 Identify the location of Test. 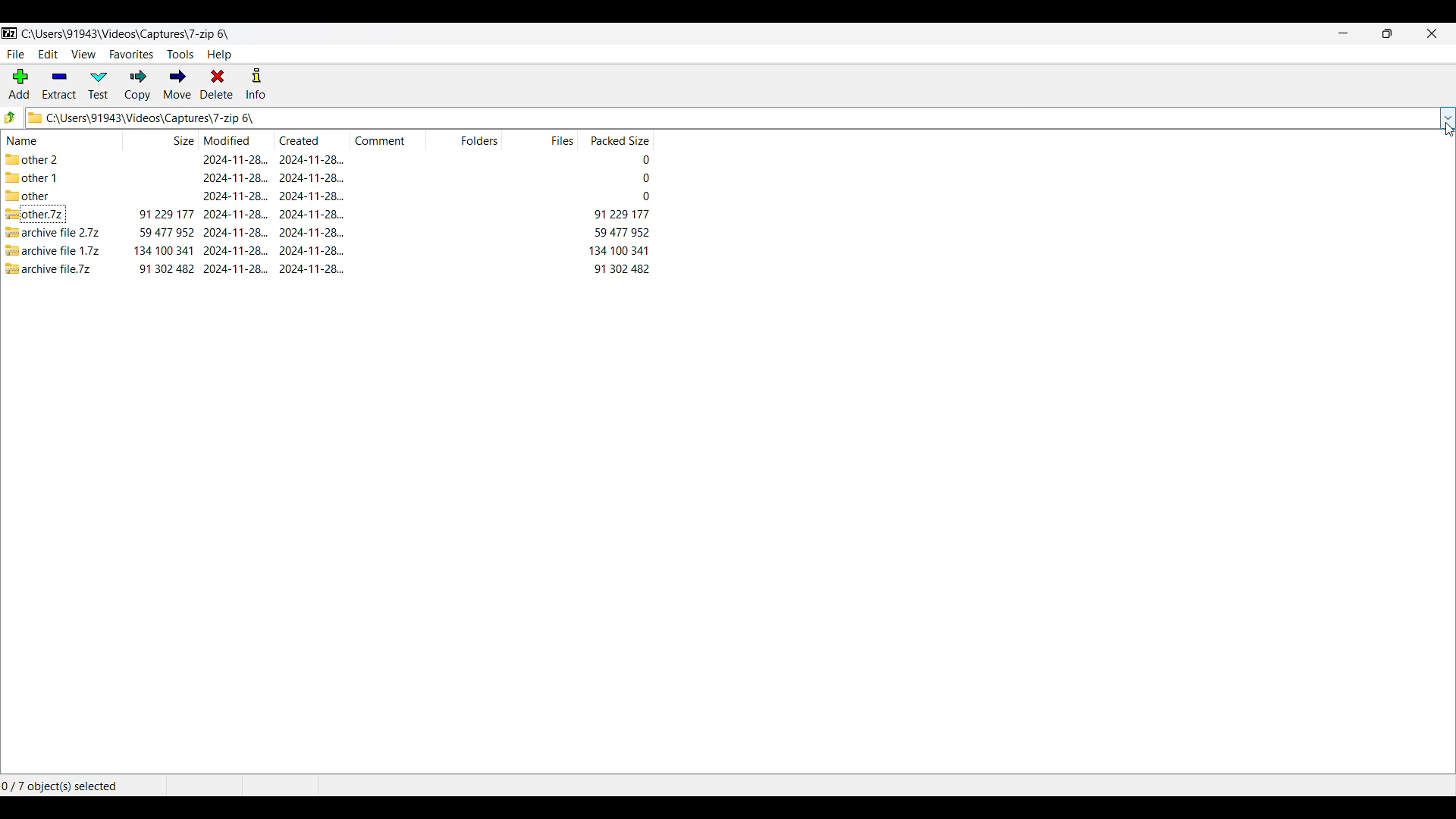
(99, 85).